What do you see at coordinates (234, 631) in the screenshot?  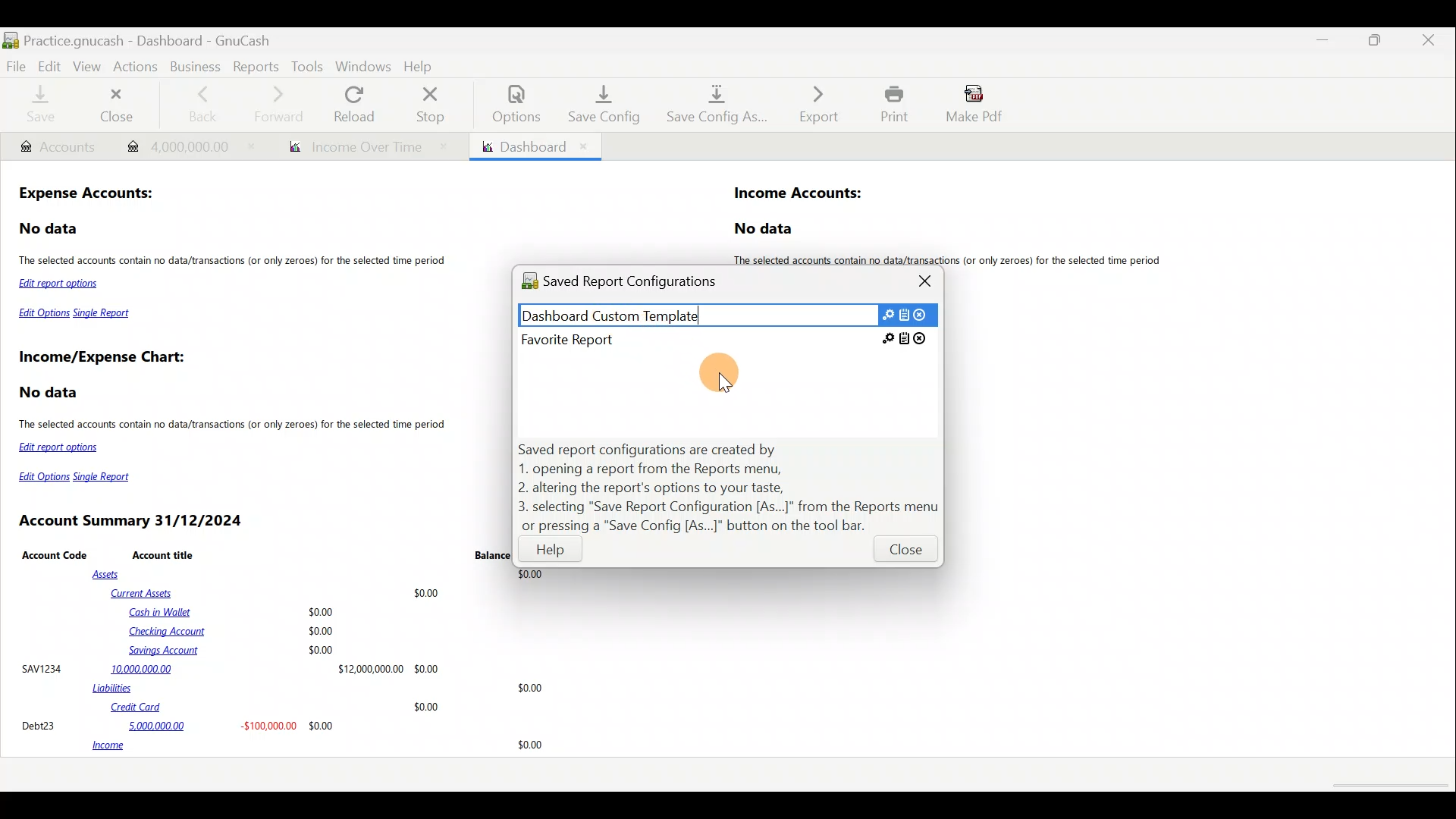 I see `Cash in Wallet $0.00
Checking Account $0.00
Savings Account $0.00` at bounding box center [234, 631].